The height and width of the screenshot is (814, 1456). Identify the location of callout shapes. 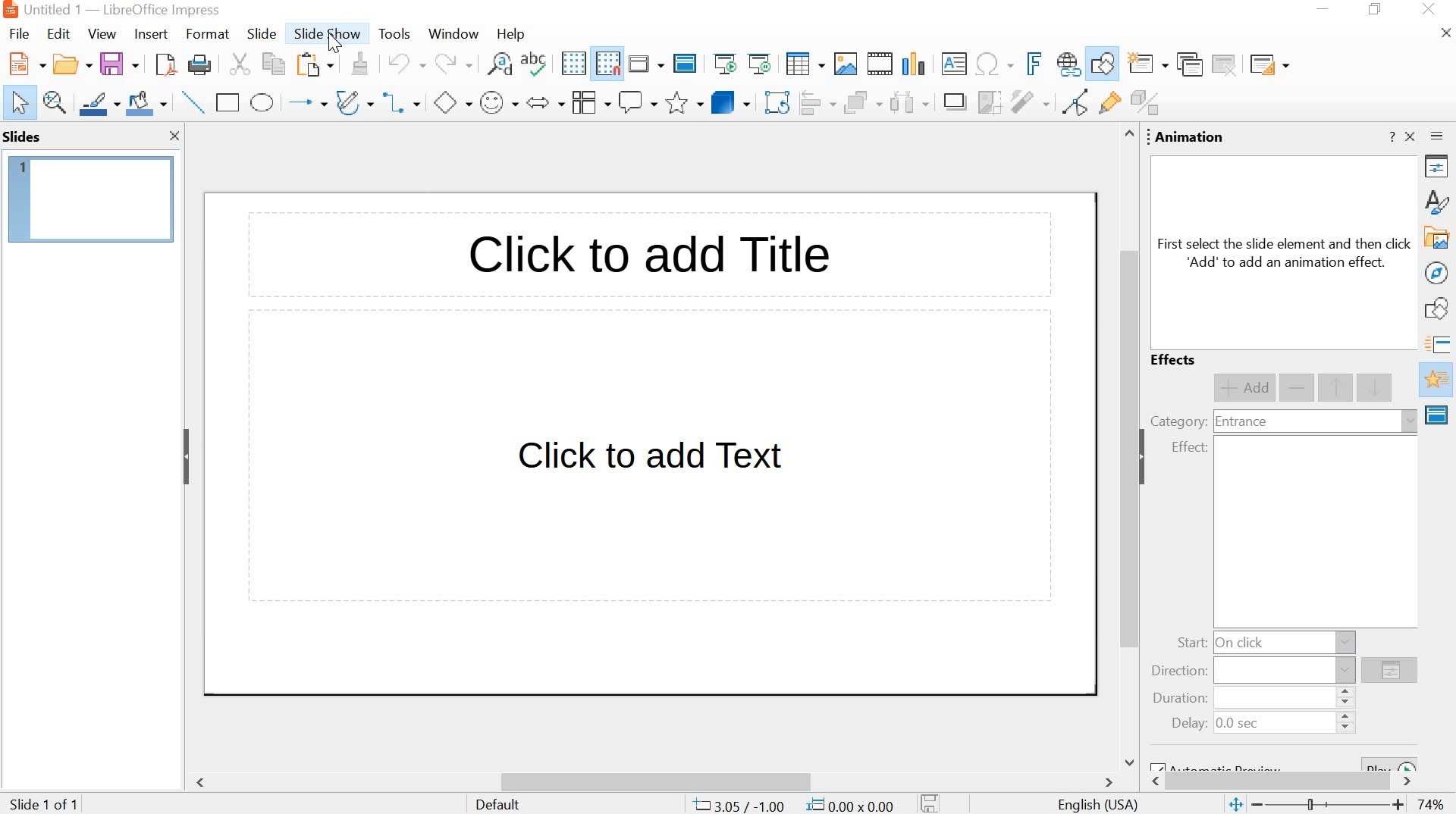
(638, 103).